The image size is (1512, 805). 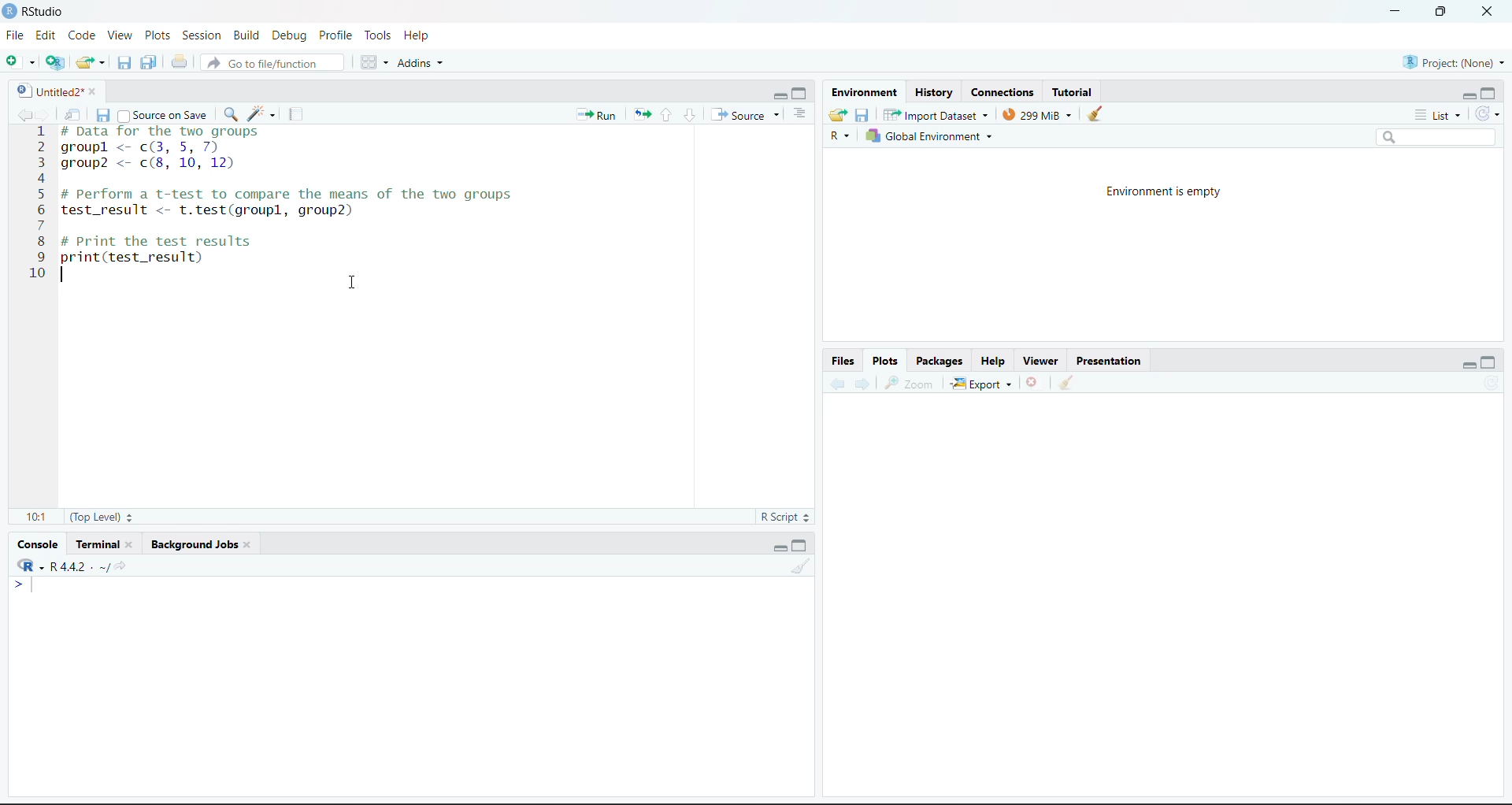 What do you see at coordinates (597, 115) in the screenshot?
I see `Run` at bounding box center [597, 115].